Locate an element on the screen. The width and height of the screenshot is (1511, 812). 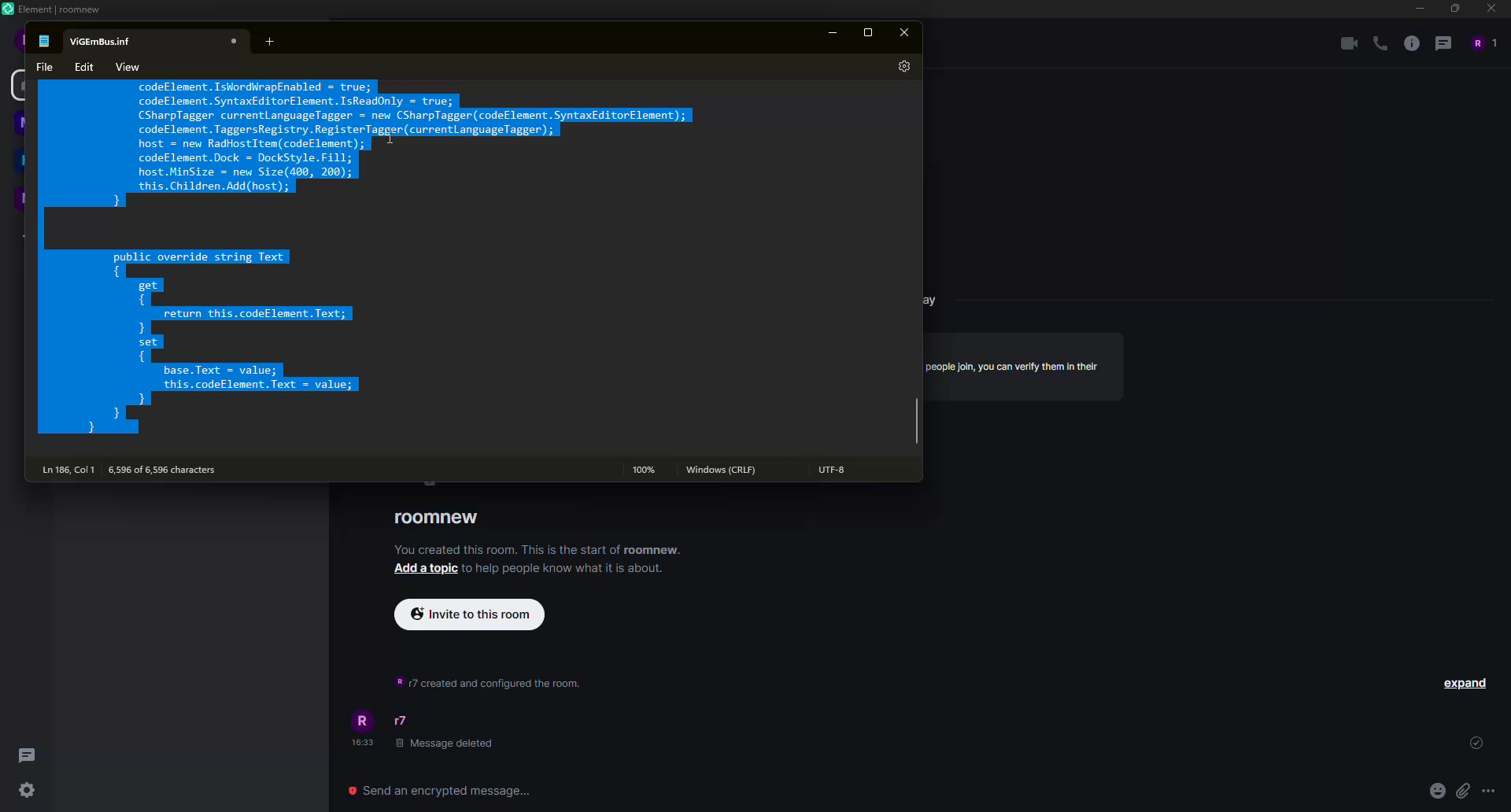
room is located at coordinates (438, 518).